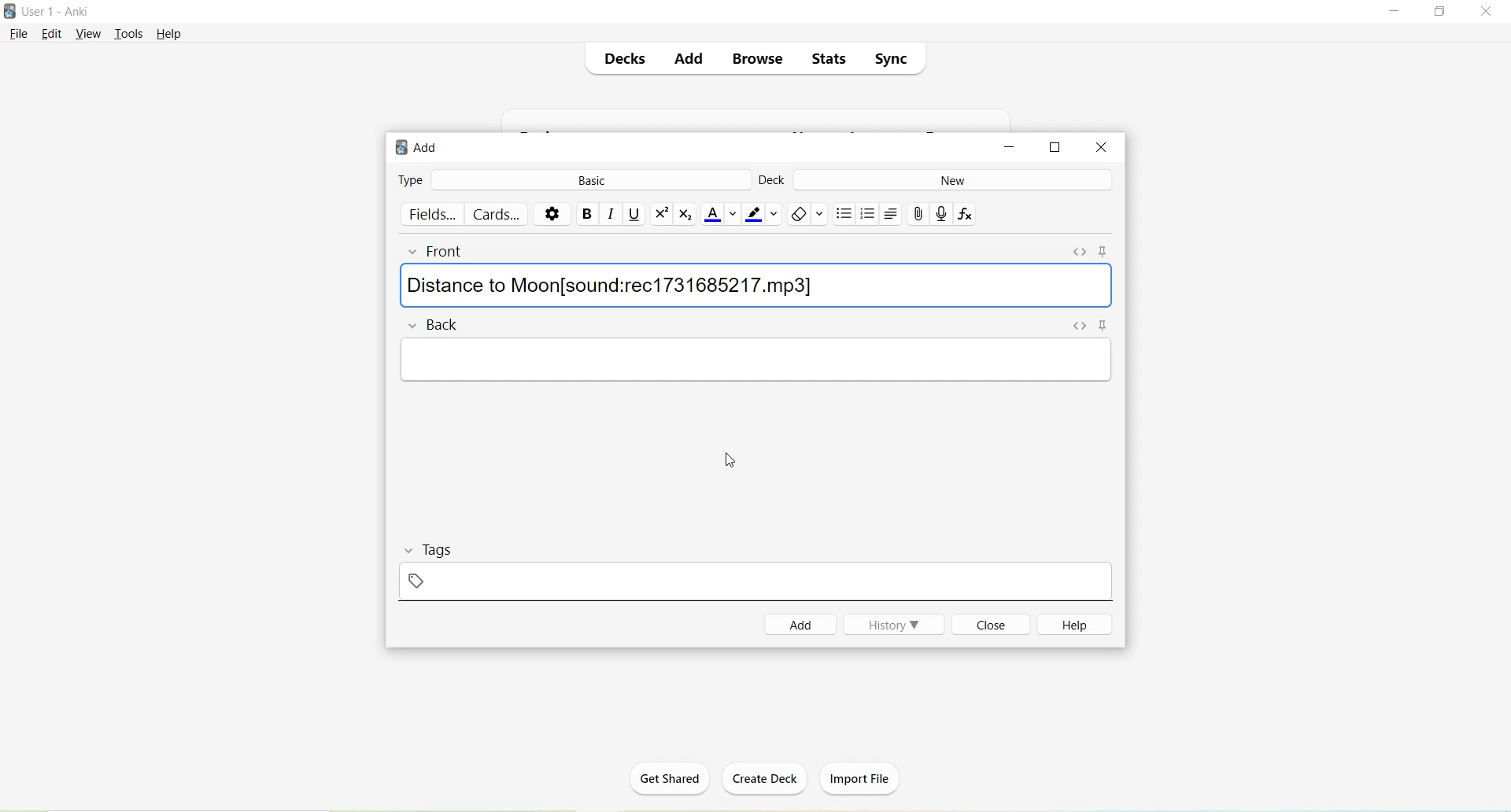 This screenshot has width=1511, height=812. What do you see at coordinates (1109, 327) in the screenshot?
I see `Toggle Sticky` at bounding box center [1109, 327].